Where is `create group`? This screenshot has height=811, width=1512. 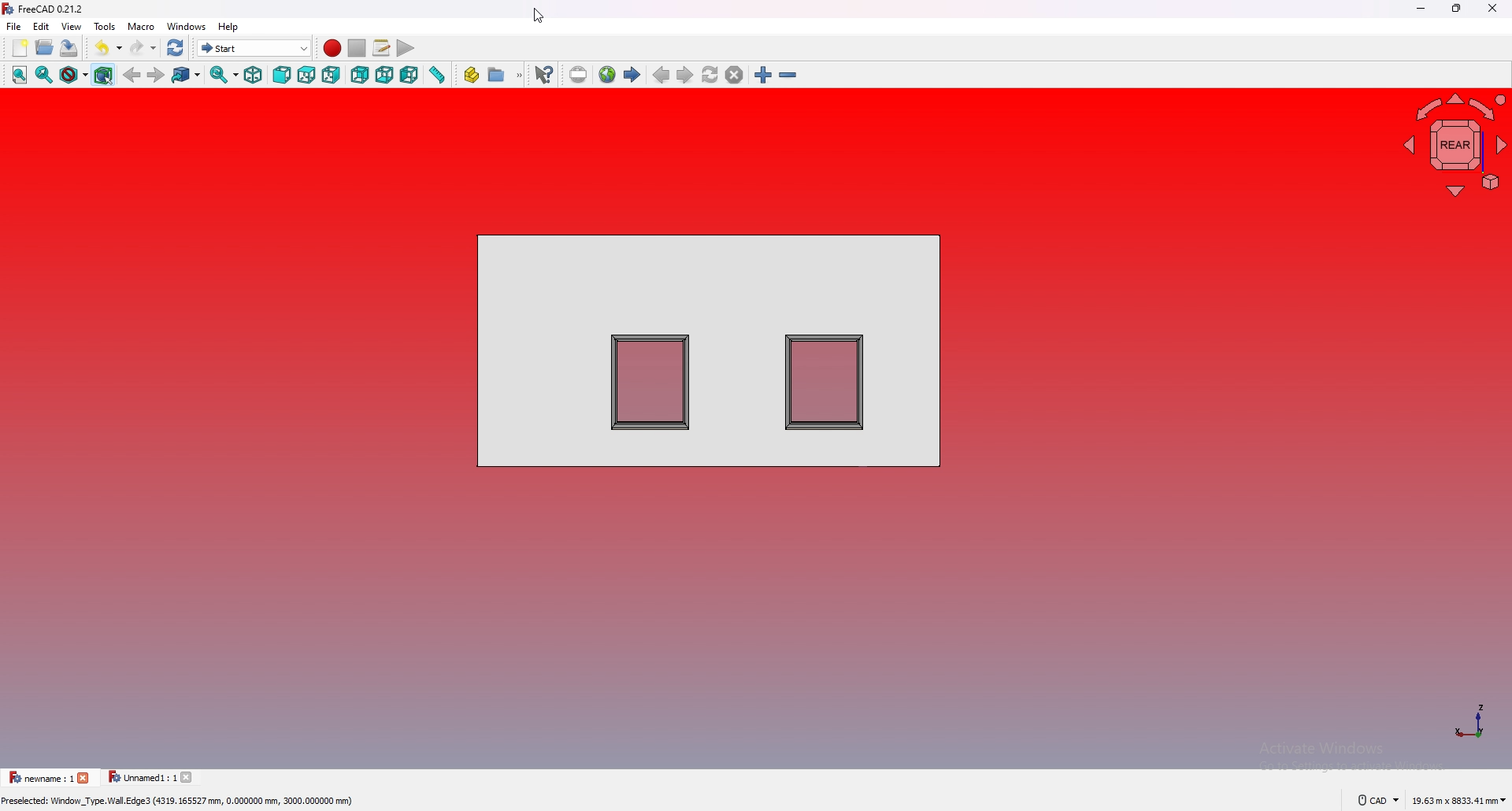
create group is located at coordinates (506, 74).